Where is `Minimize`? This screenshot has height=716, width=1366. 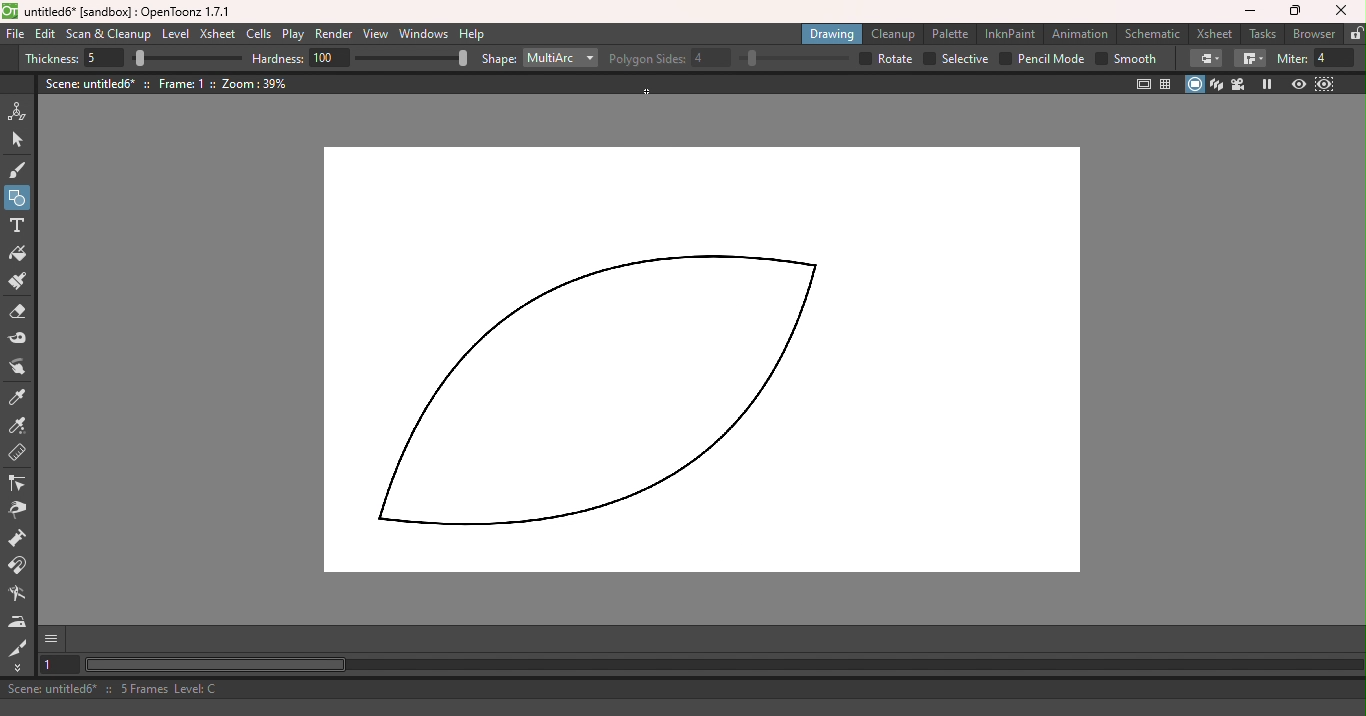
Minimize is located at coordinates (1248, 12).